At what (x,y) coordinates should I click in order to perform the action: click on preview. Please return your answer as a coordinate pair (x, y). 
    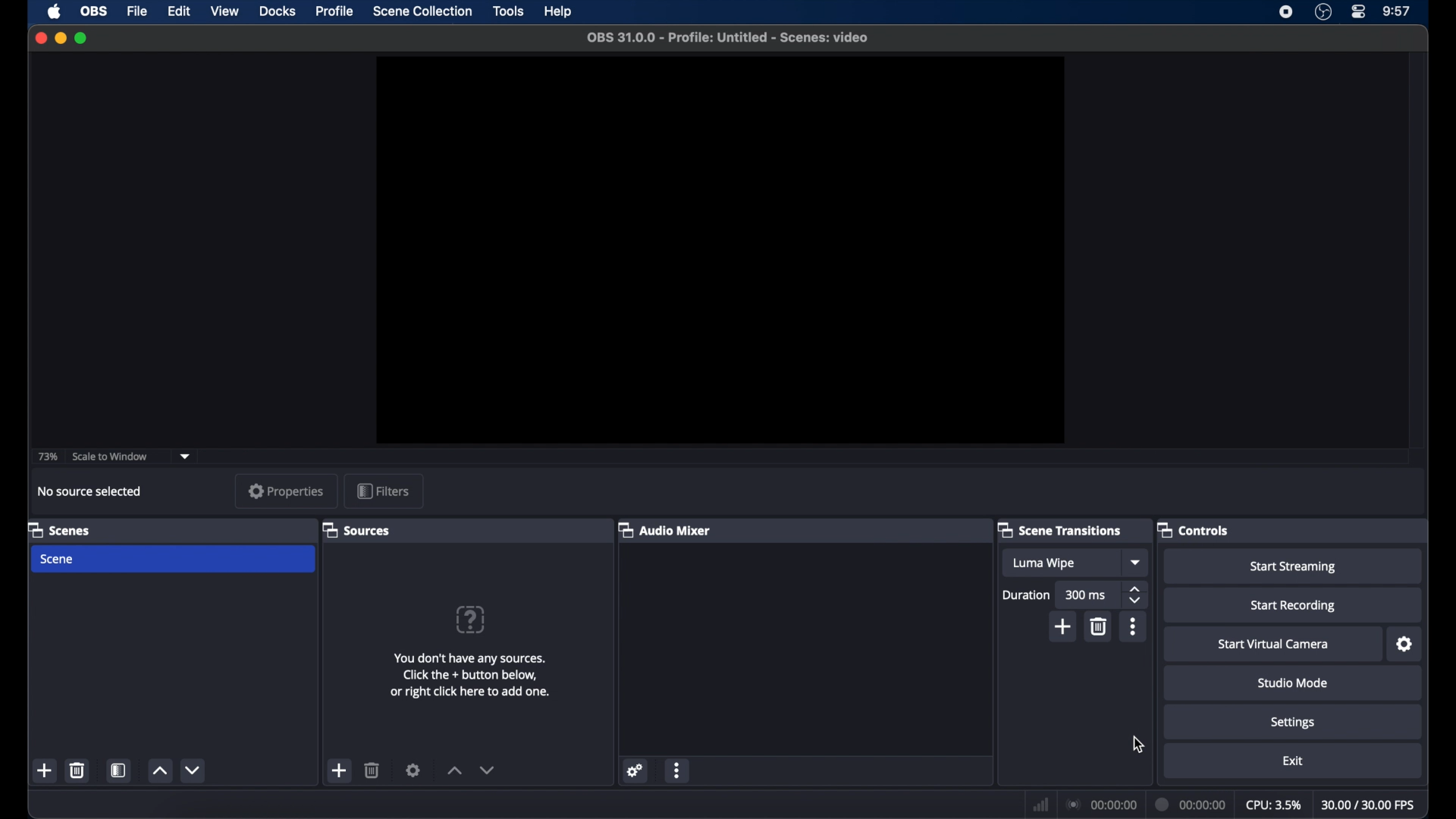
    Looking at the image, I should click on (719, 250).